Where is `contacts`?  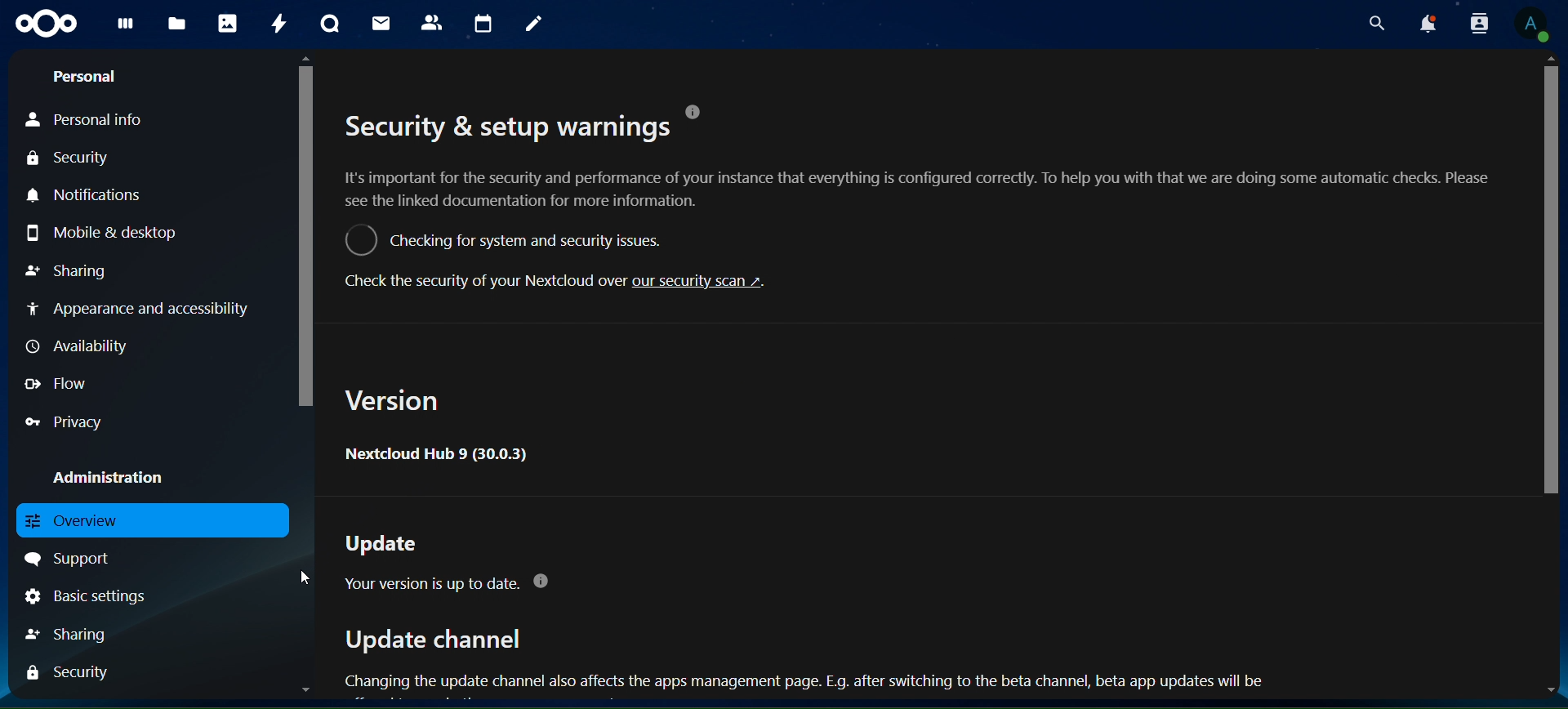 contacts is located at coordinates (432, 23).